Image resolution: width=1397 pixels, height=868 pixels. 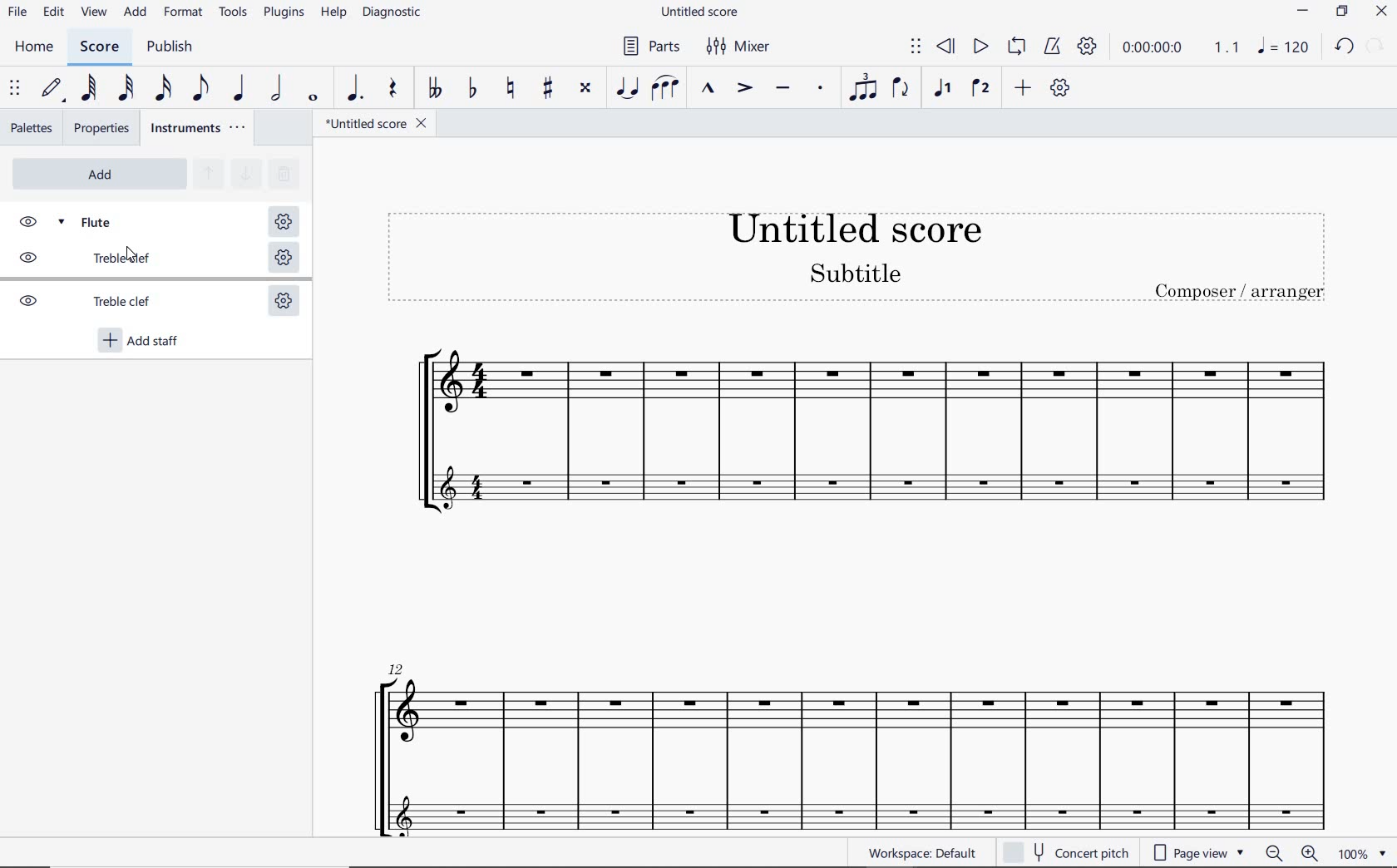 What do you see at coordinates (278, 90) in the screenshot?
I see `HALF NOTE` at bounding box center [278, 90].